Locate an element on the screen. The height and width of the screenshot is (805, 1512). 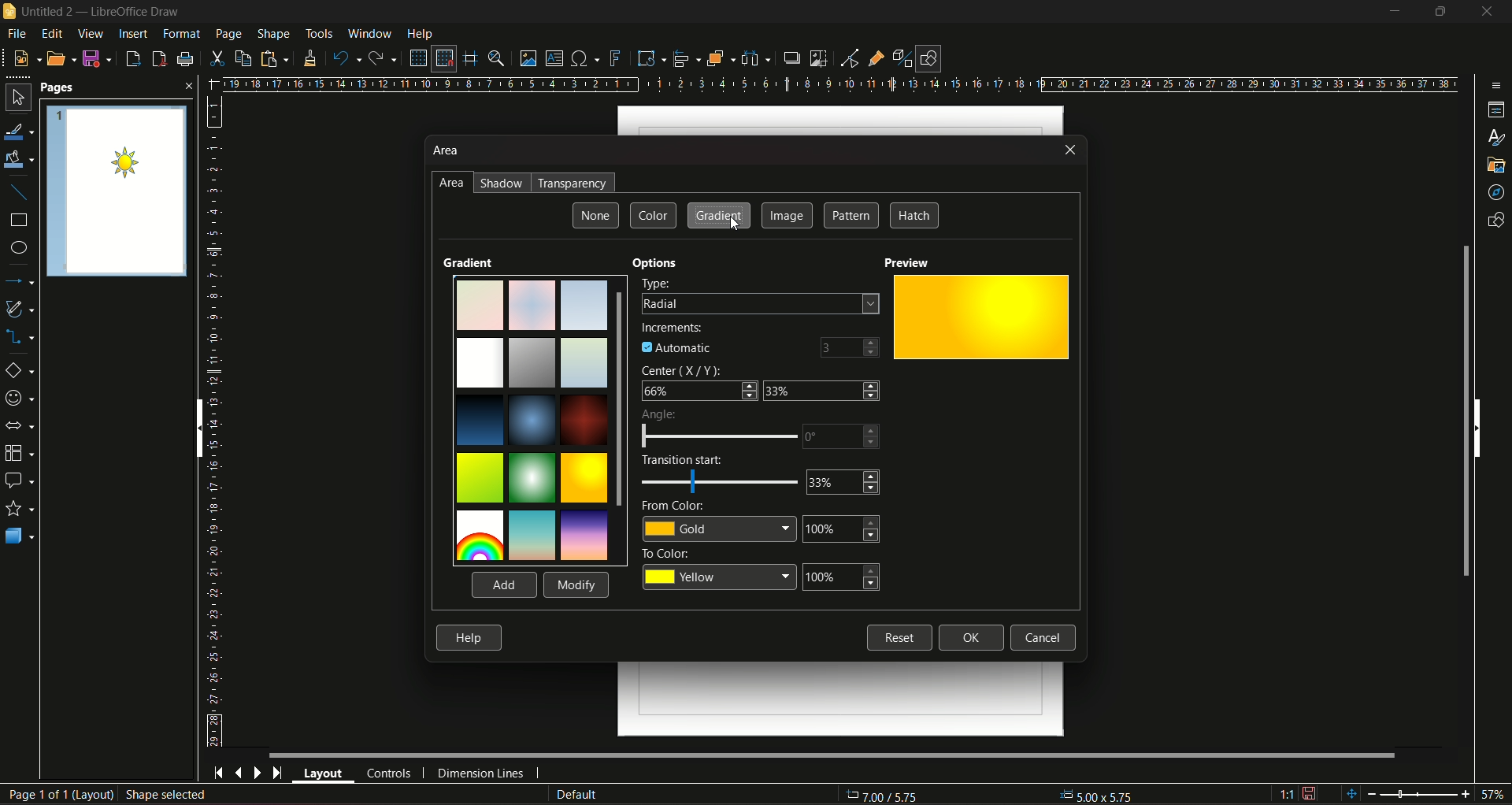
Modify is located at coordinates (578, 584).